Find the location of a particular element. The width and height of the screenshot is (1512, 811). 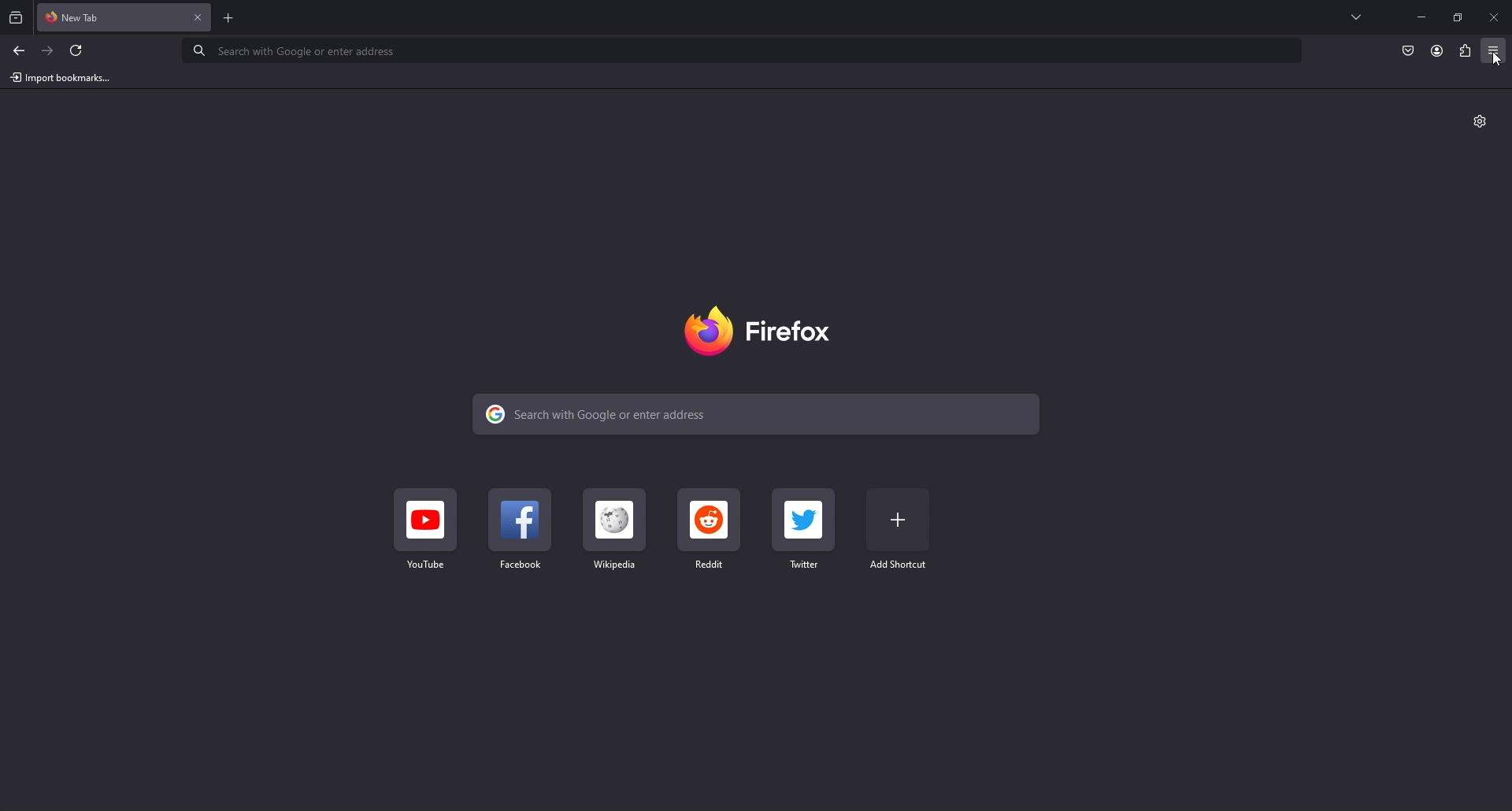

save to pocket is located at coordinates (1407, 52).